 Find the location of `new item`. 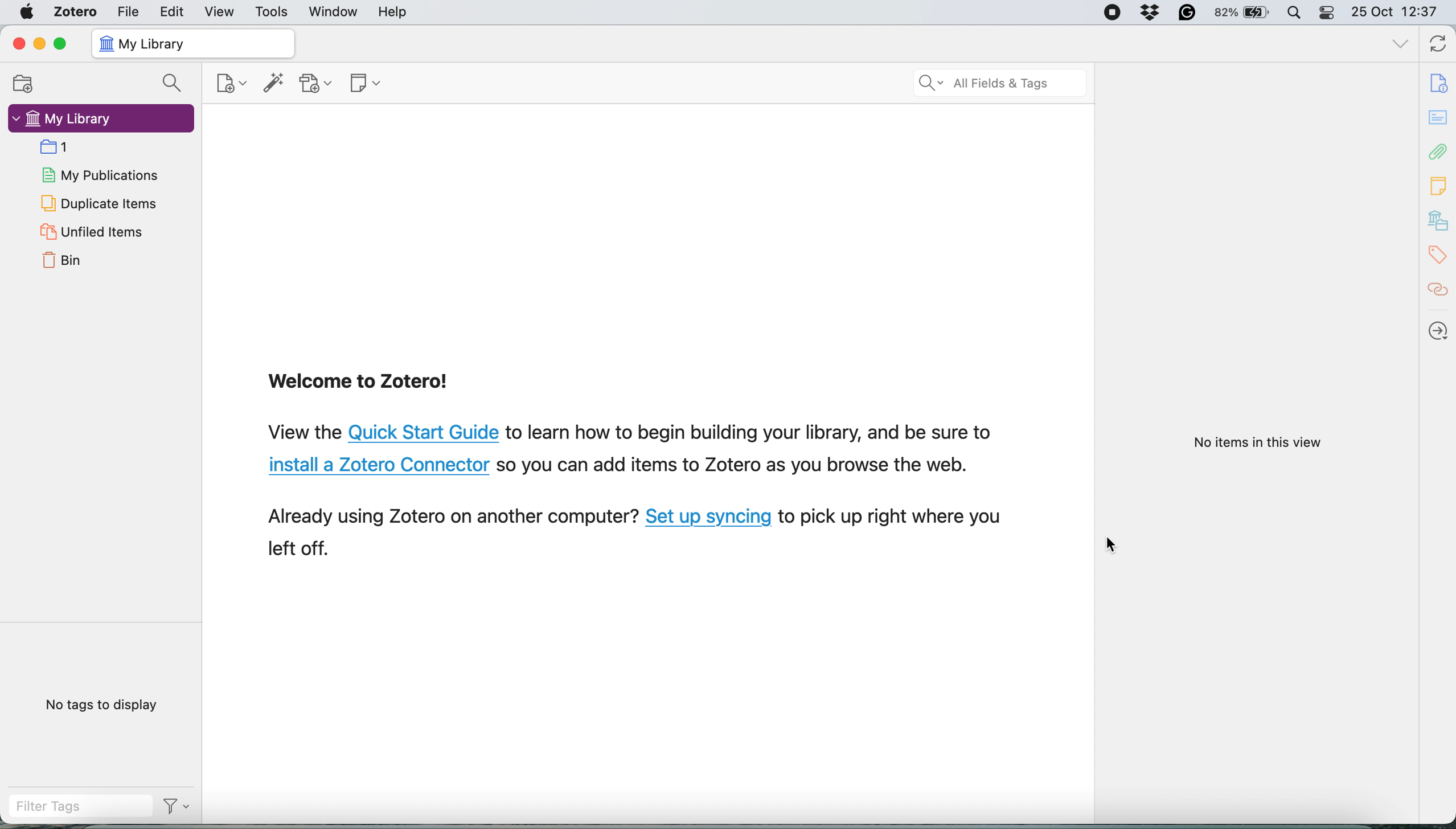

new item is located at coordinates (231, 84).